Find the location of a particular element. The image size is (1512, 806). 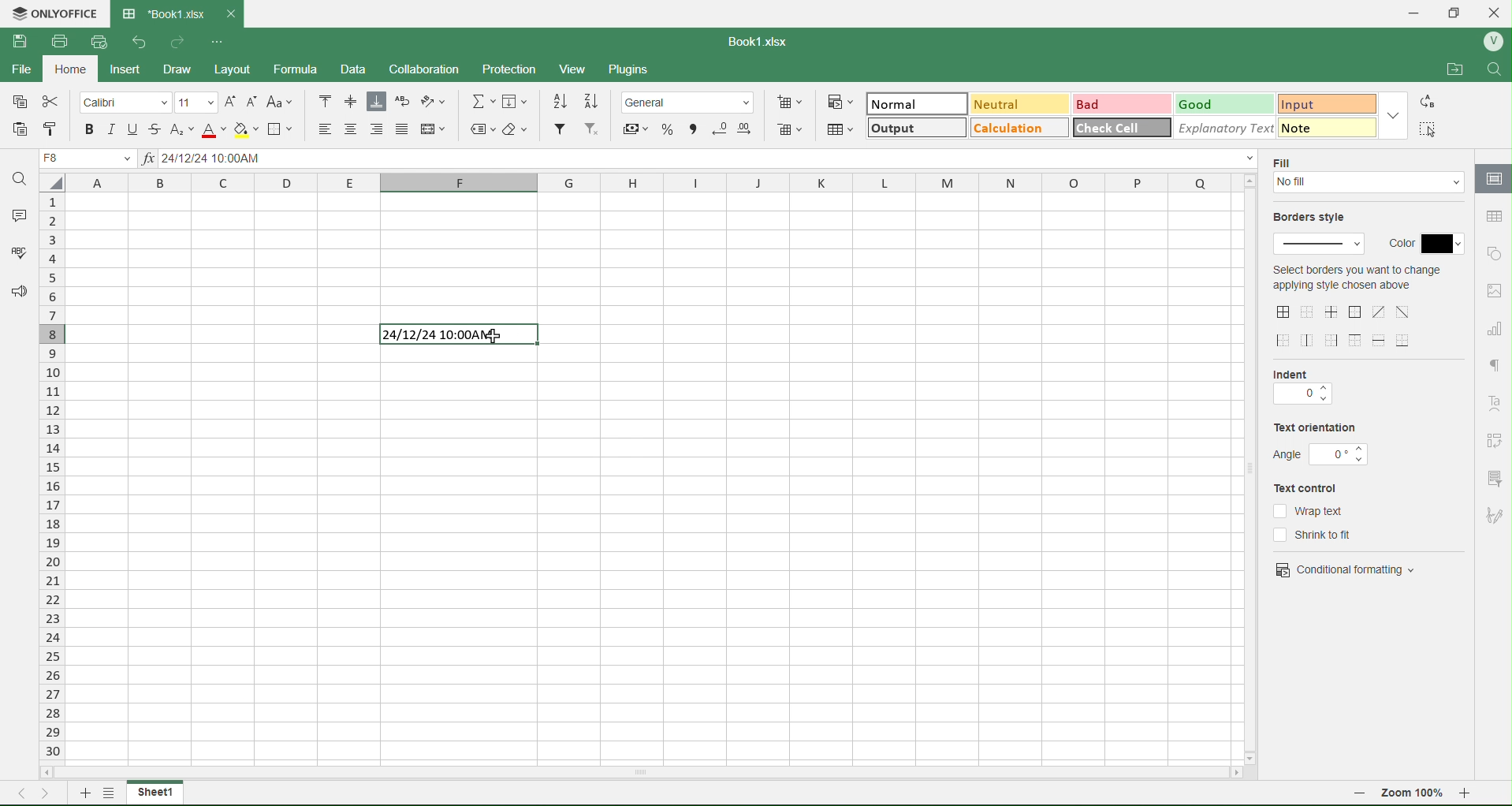

Font Color is located at coordinates (210, 129).